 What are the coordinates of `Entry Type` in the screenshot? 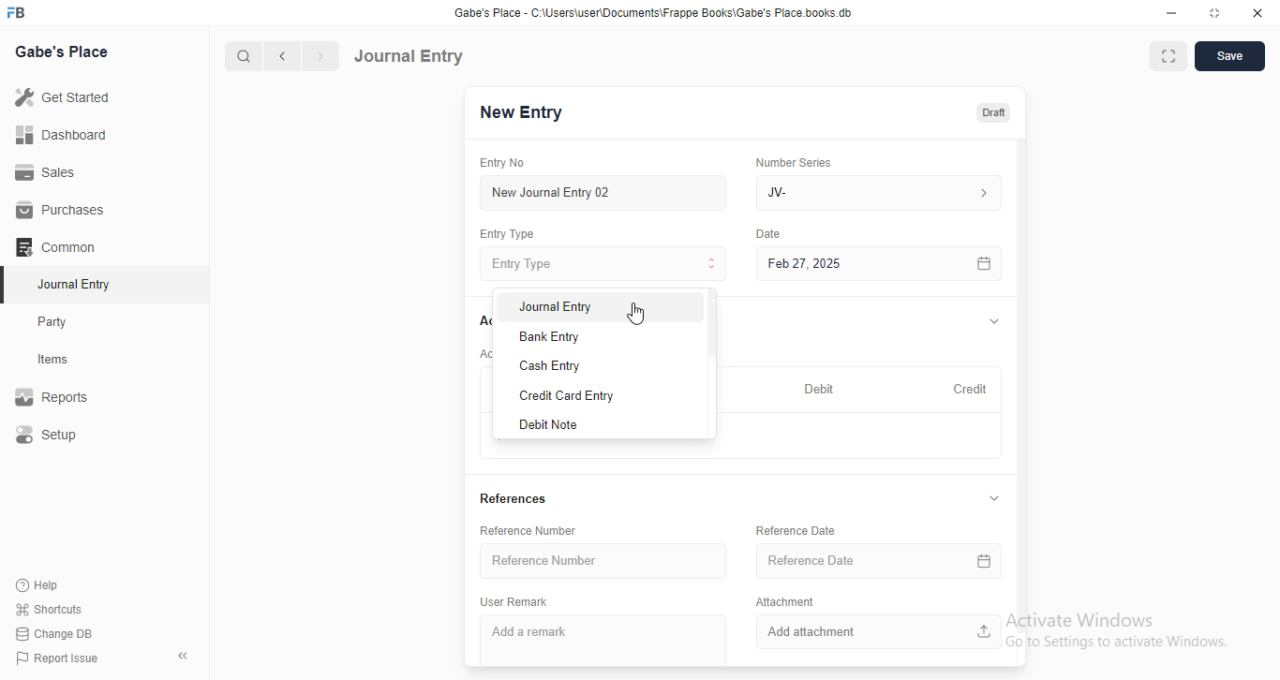 It's located at (603, 264).